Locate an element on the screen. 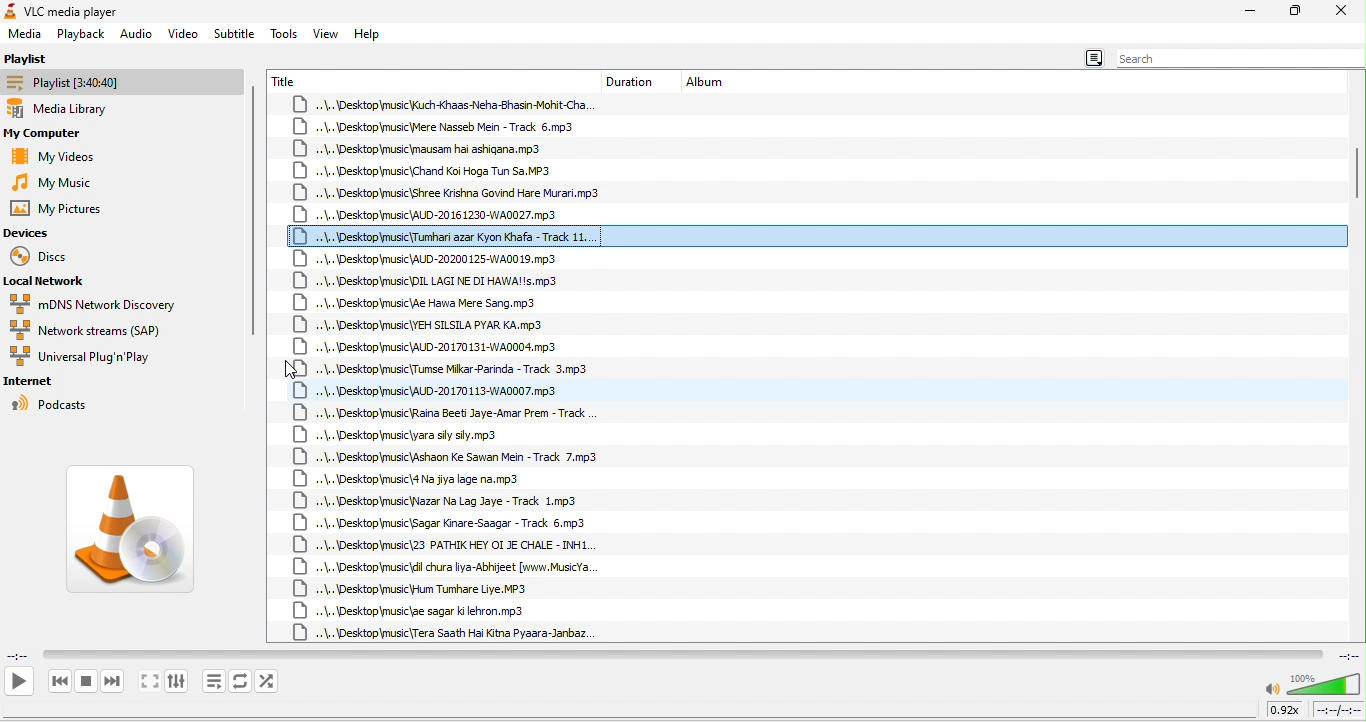 The image size is (1366, 722). album is located at coordinates (711, 81).